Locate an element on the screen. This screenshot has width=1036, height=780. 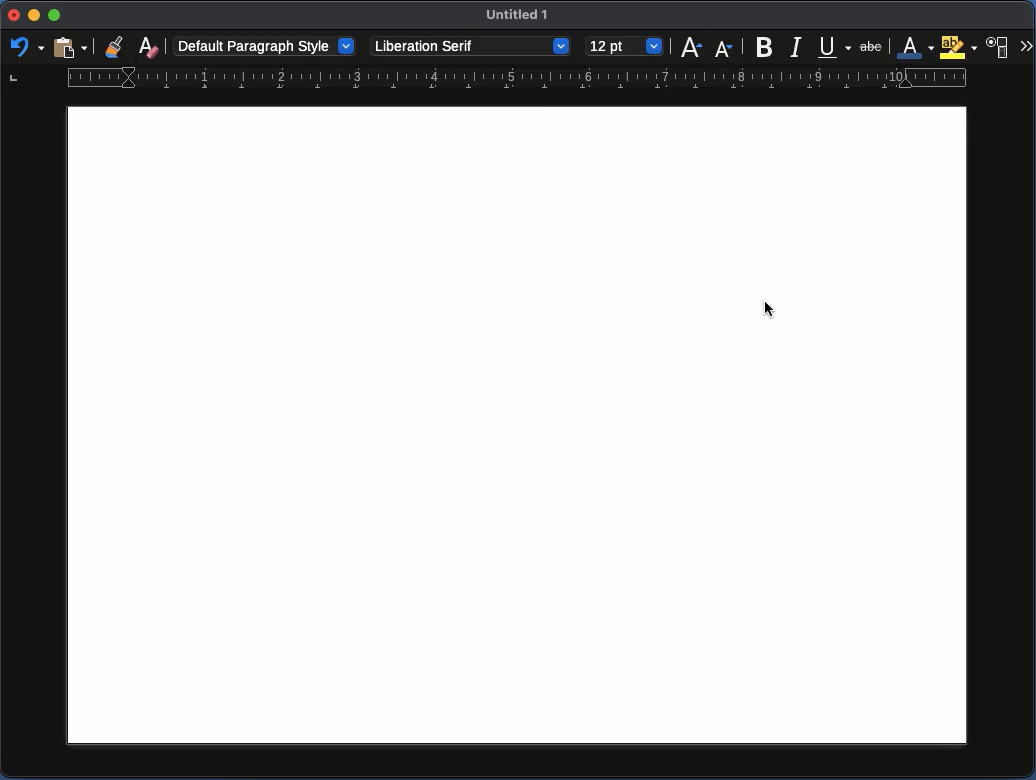
Italics is located at coordinates (797, 46).